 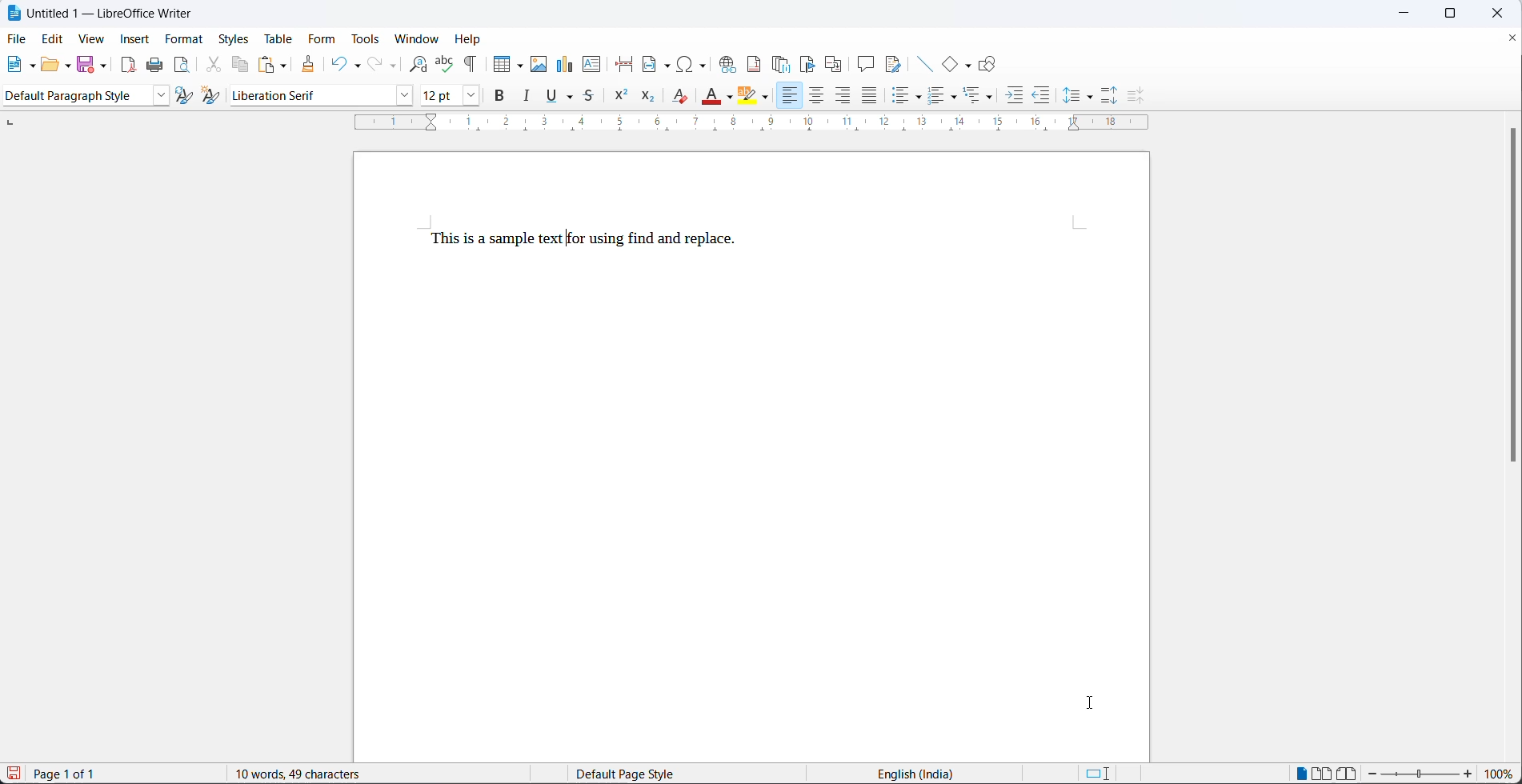 What do you see at coordinates (501, 98) in the screenshot?
I see `bold` at bounding box center [501, 98].